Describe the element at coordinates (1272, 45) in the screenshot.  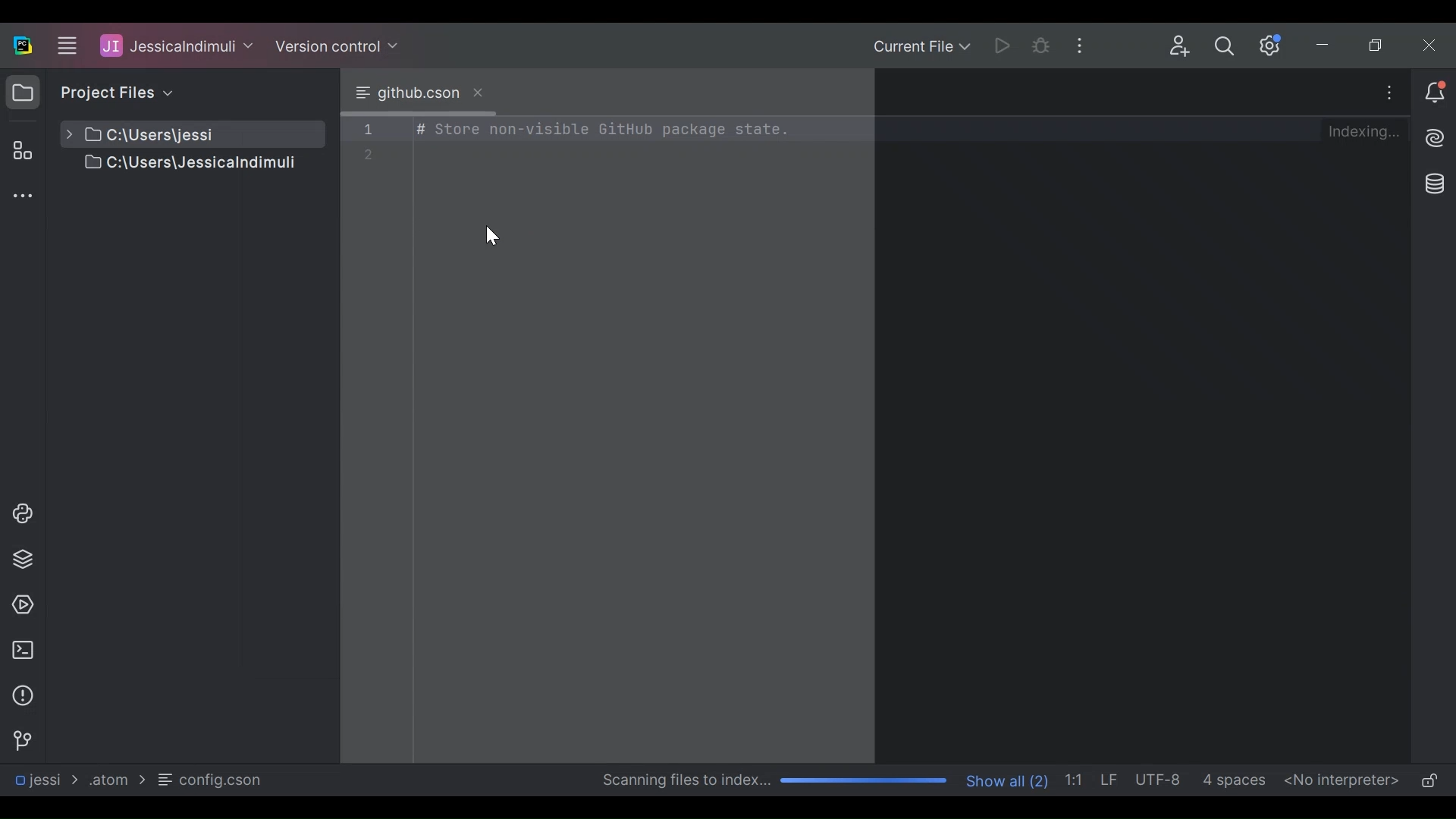
I see `Settings` at that location.